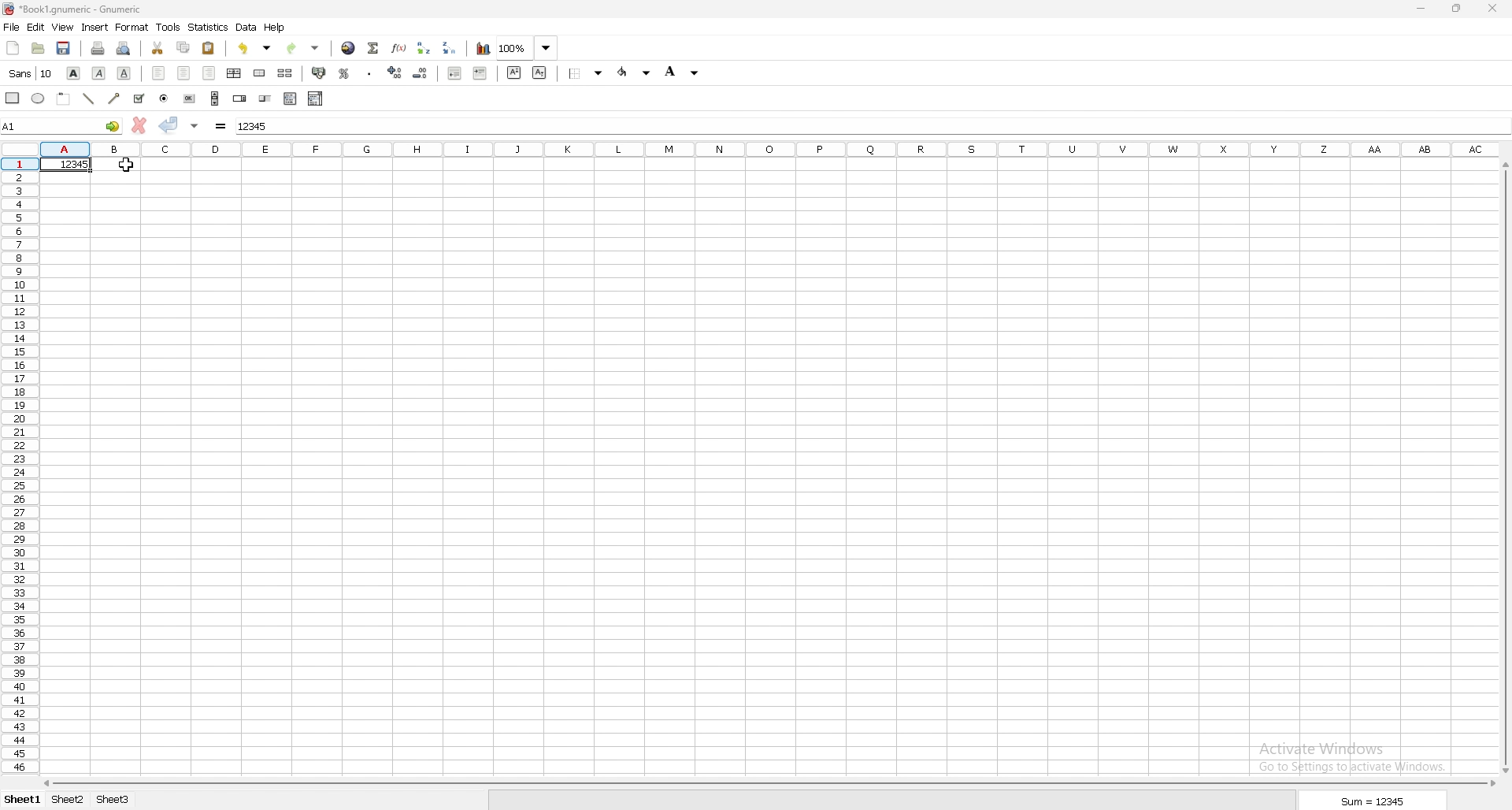 The image size is (1512, 810). I want to click on slider, so click(265, 98).